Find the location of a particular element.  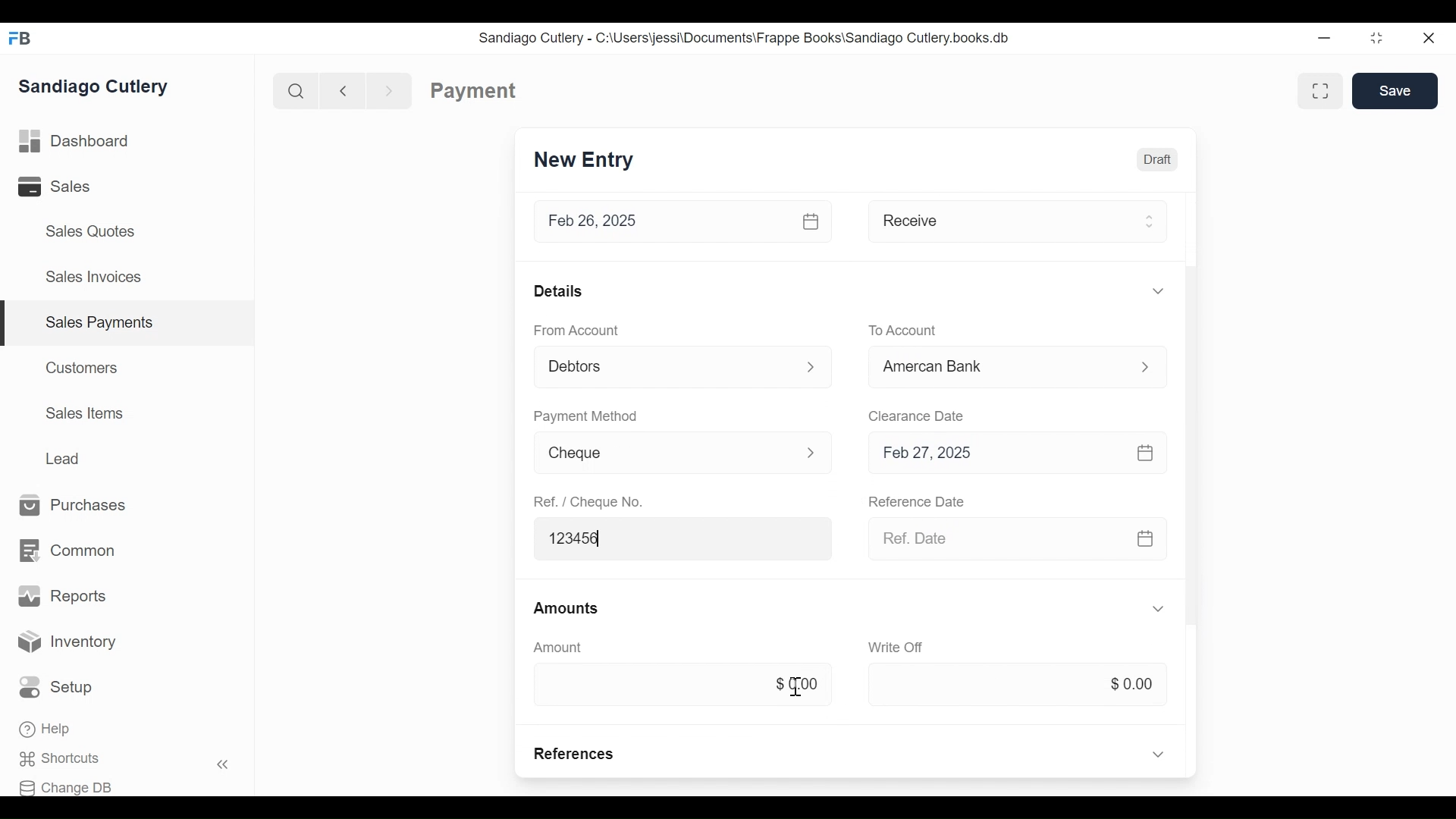

Expand is located at coordinates (1157, 290).